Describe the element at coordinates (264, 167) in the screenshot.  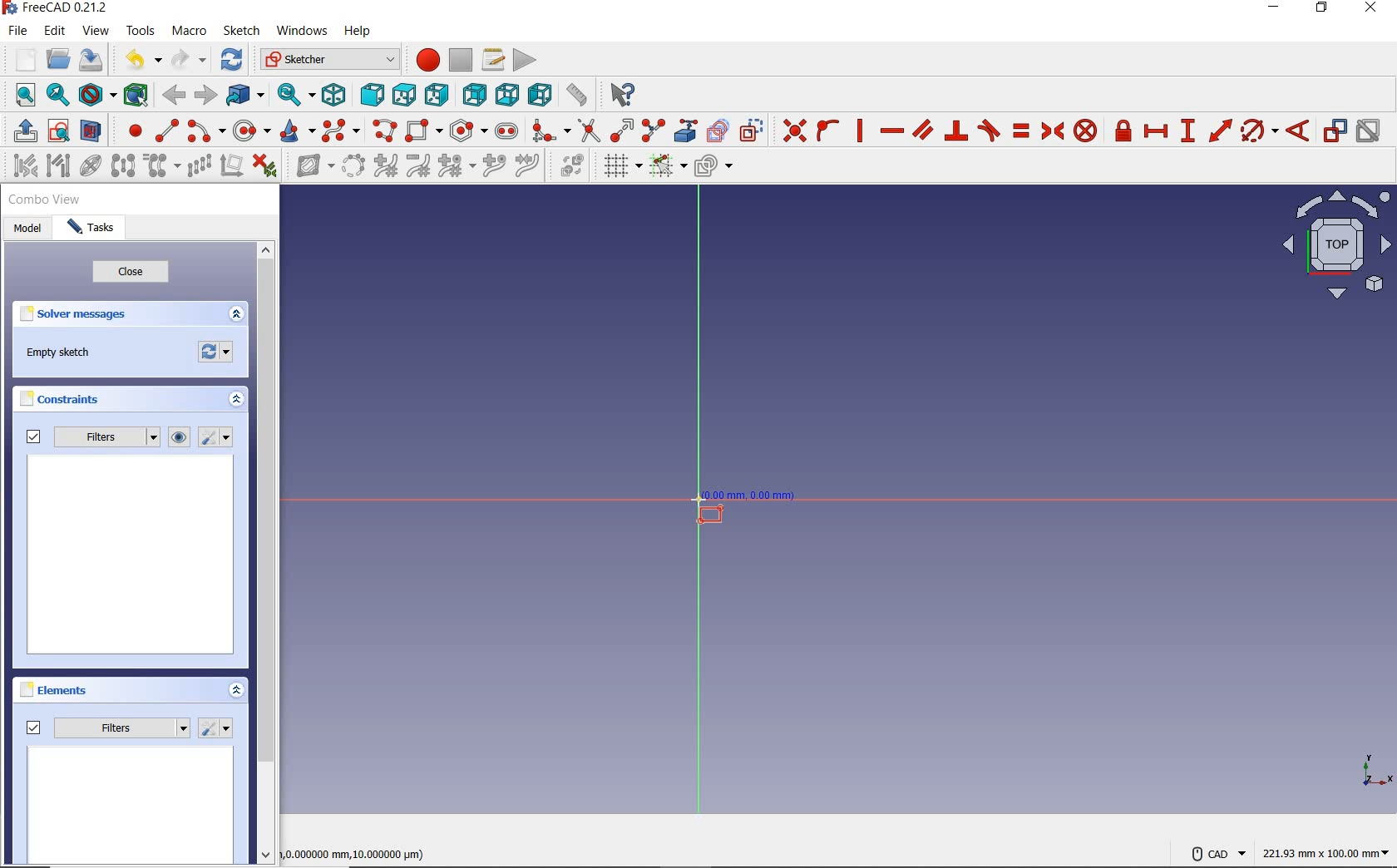
I see `delete all constraints` at that location.